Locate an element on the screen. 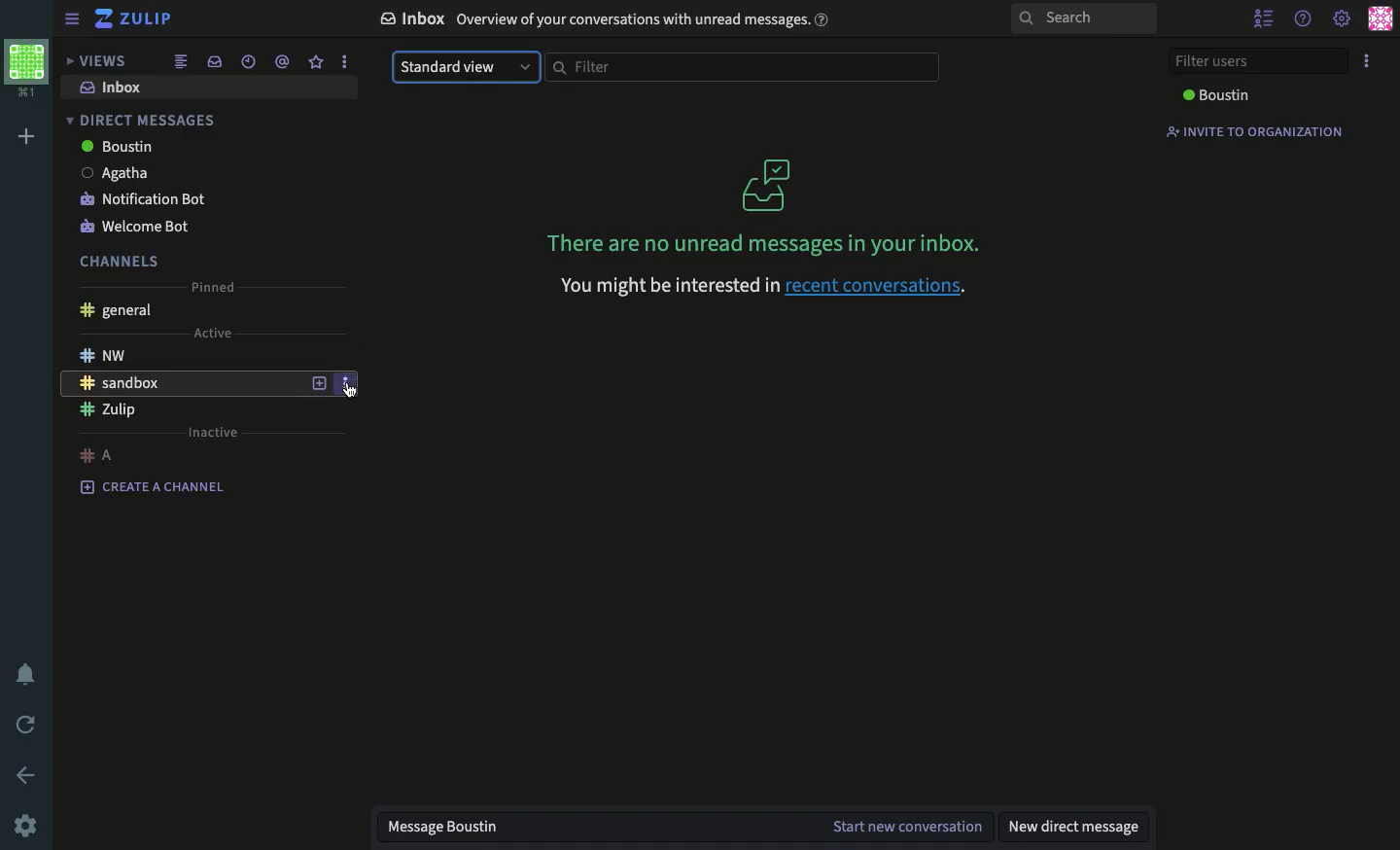  options is located at coordinates (1365, 61).